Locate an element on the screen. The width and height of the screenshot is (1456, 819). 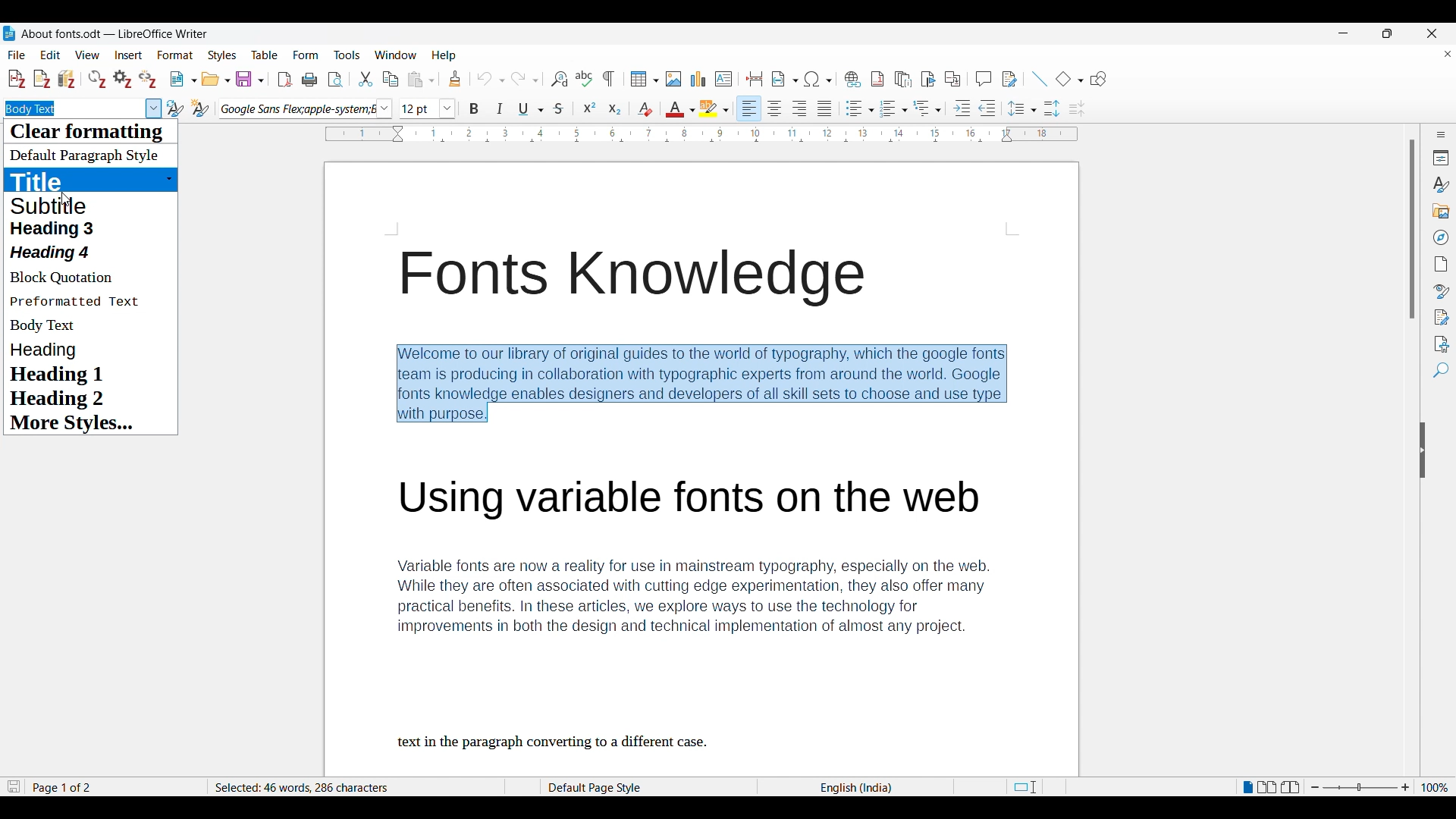
Refresh is located at coordinates (97, 79).